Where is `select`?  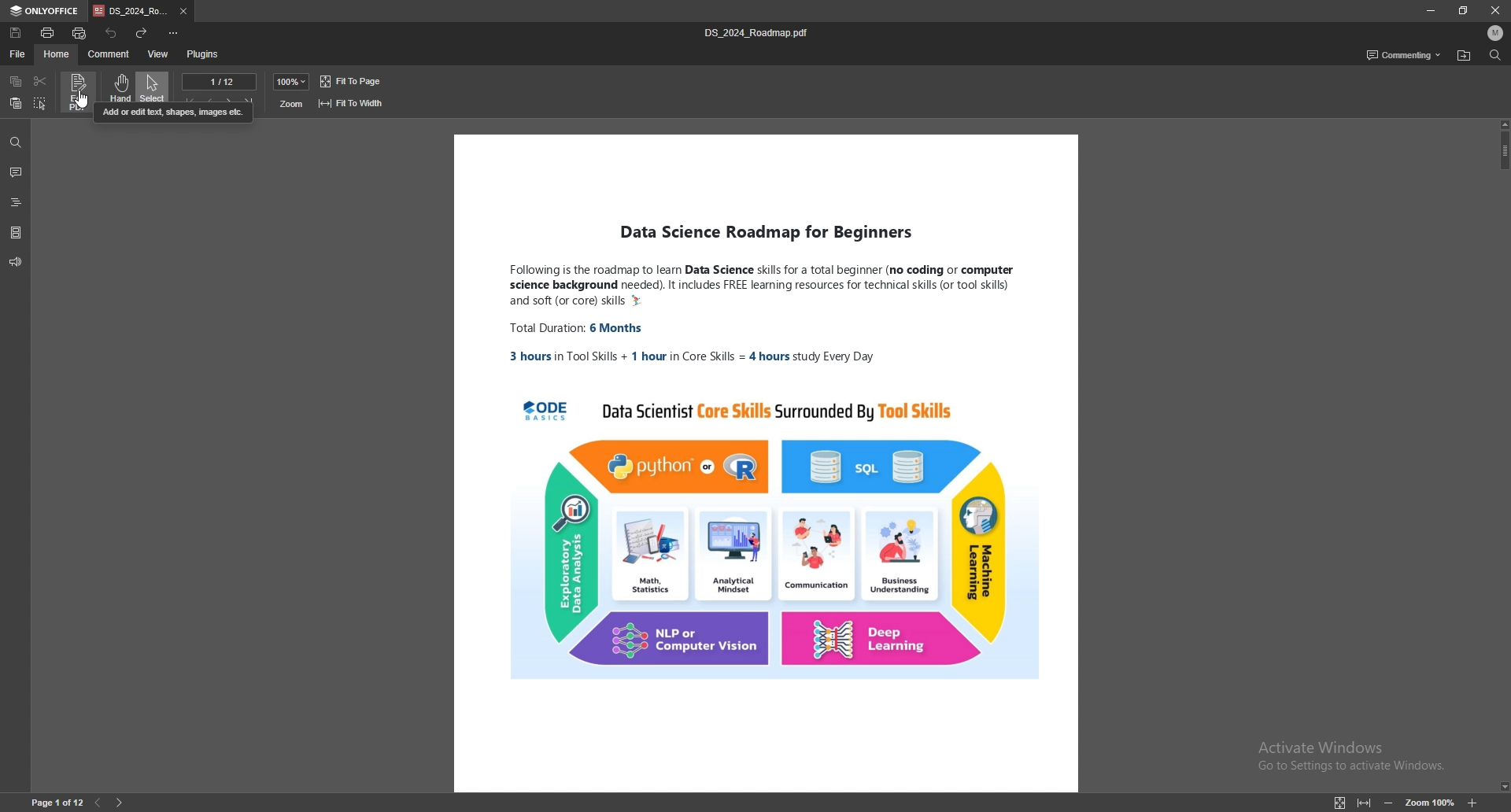
select is located at coordinates (153, 86).